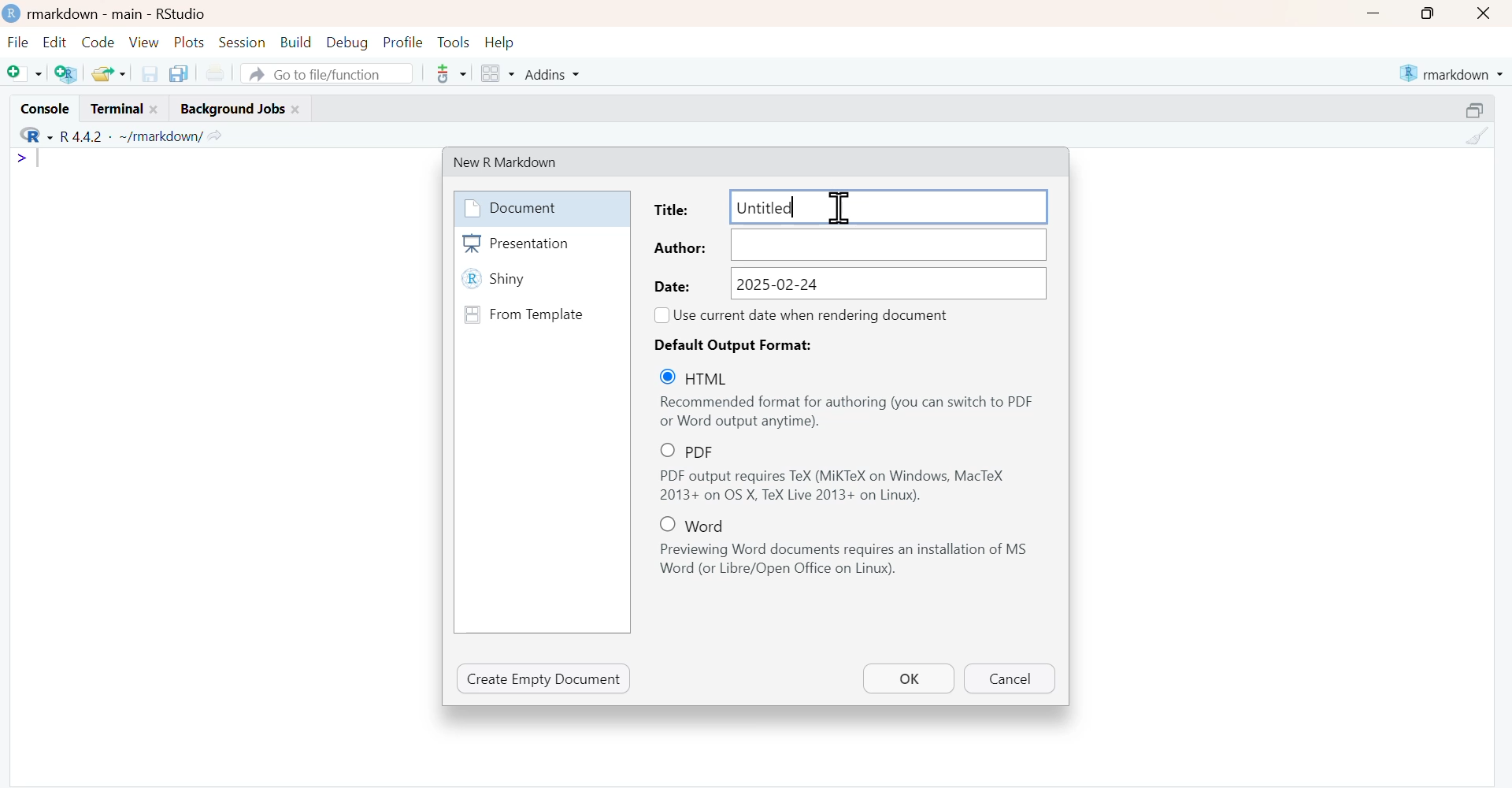  I want to click on Create Empty Document, so click(544, 678).